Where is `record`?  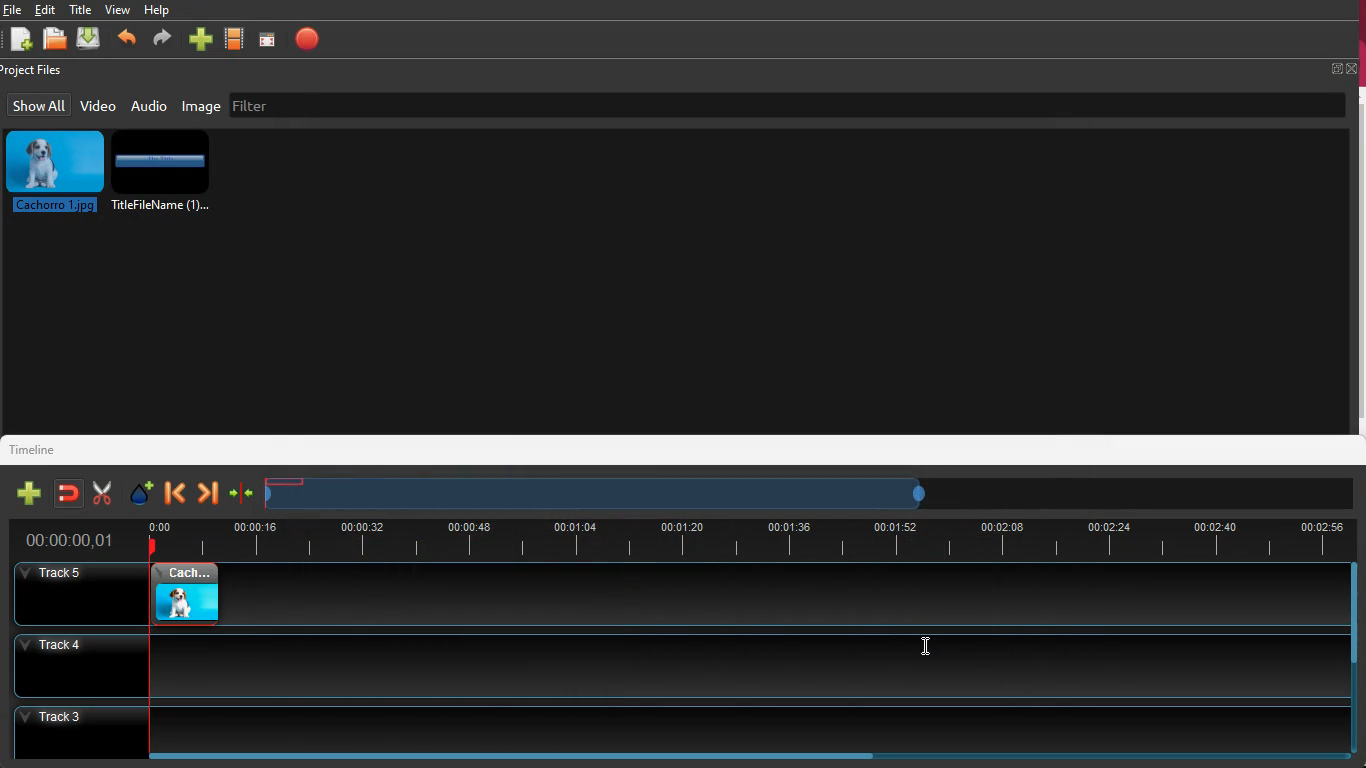
record is located at coordinates (308, 39).